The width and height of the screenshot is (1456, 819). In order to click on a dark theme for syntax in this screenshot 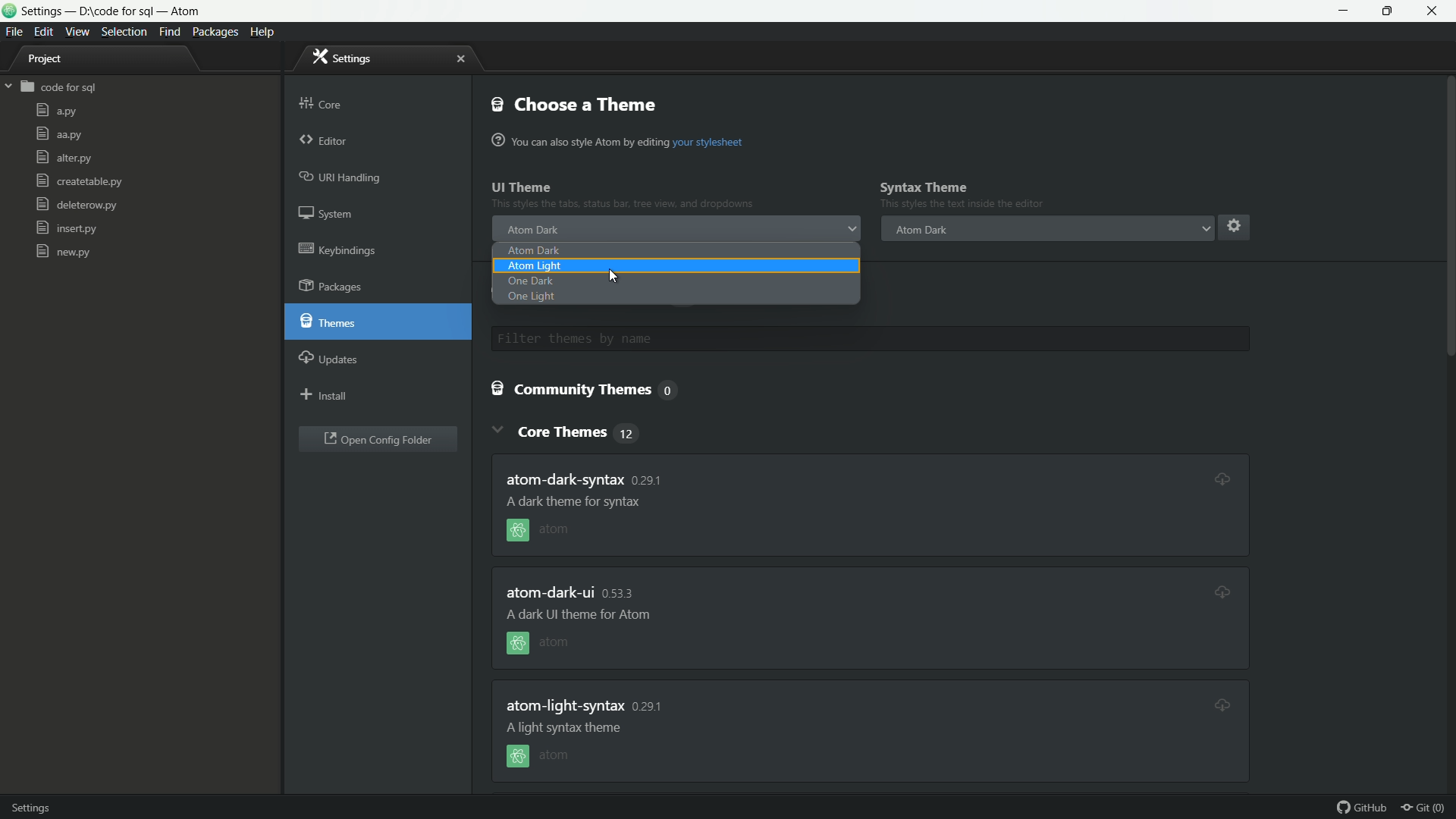, I will do `click(578, 501)`.